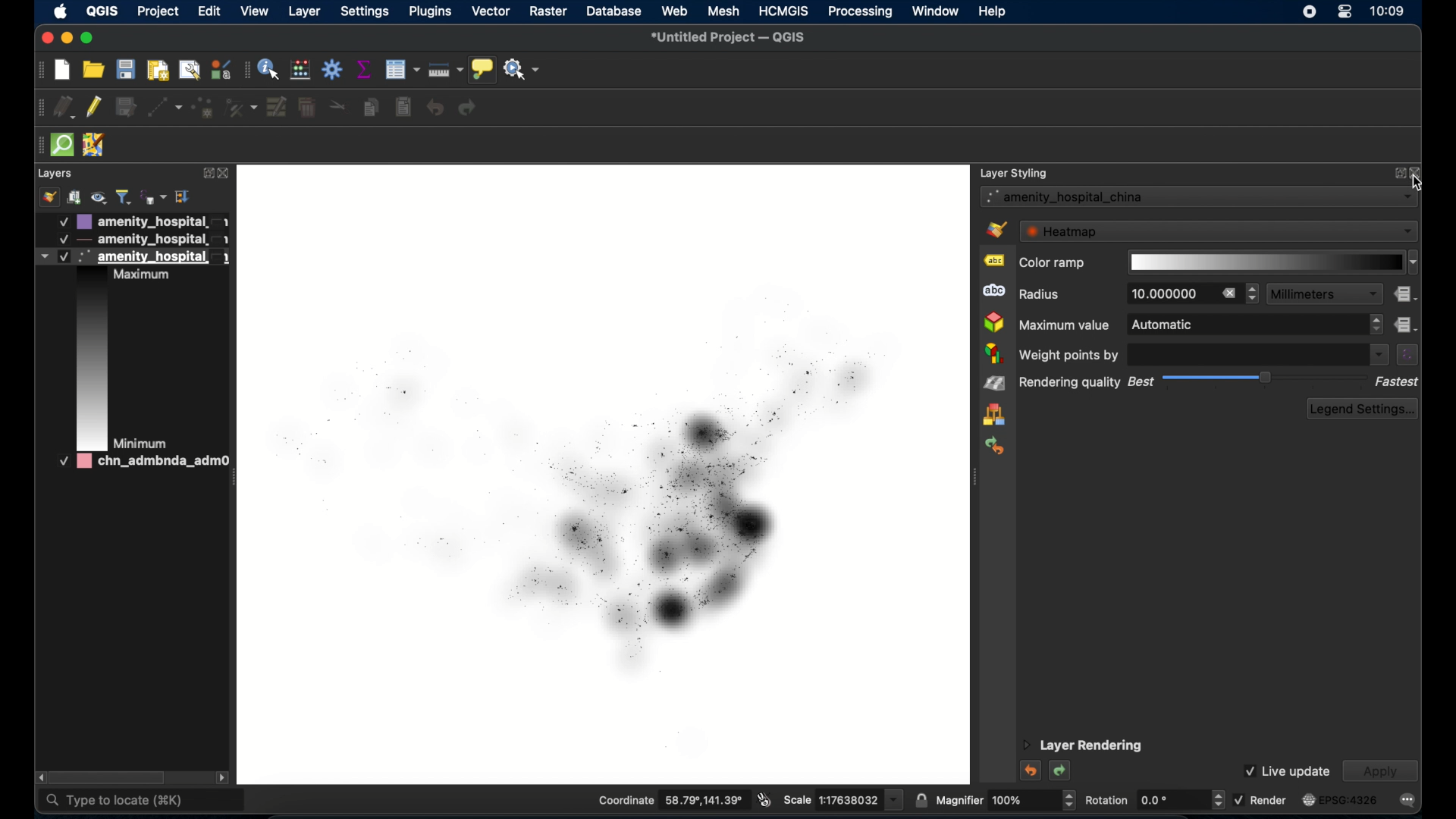 This screenshot has height=819, width=1456. I want to click on history, so click(993, 447).